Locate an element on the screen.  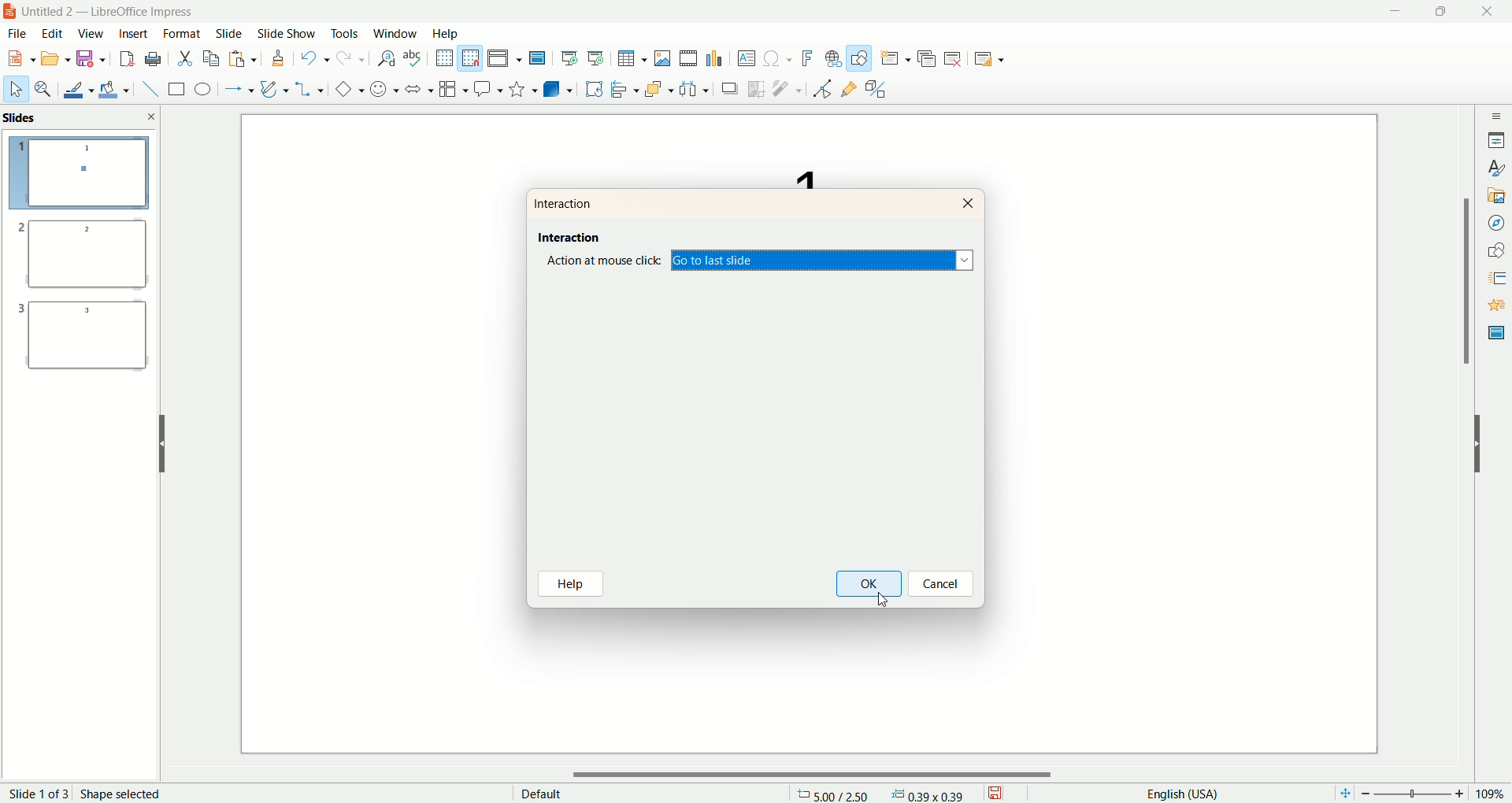
close is located at coordinates (969, 202).